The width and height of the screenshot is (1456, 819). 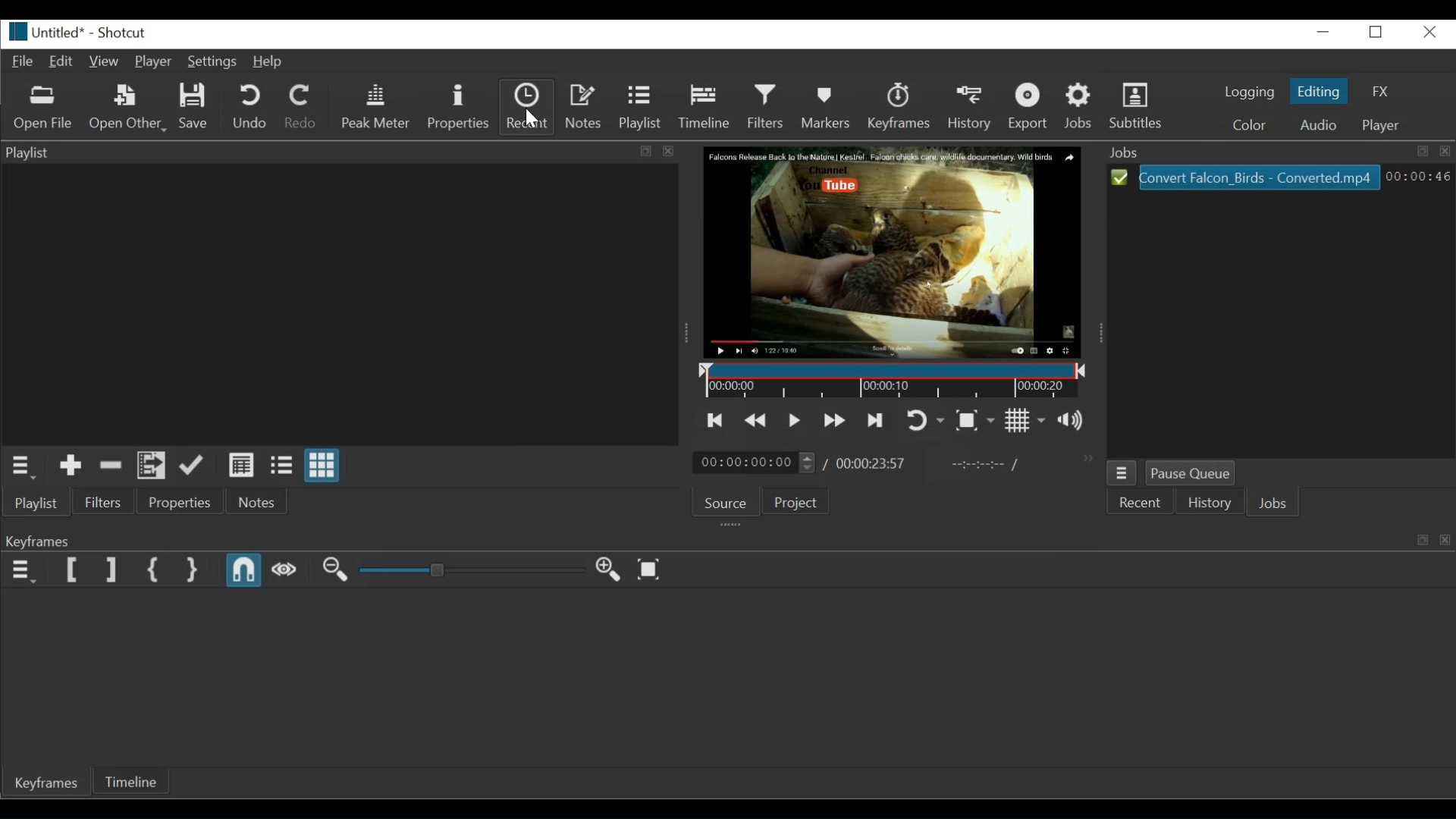 I want to click on Keyframes, so click(x=903, y=106).